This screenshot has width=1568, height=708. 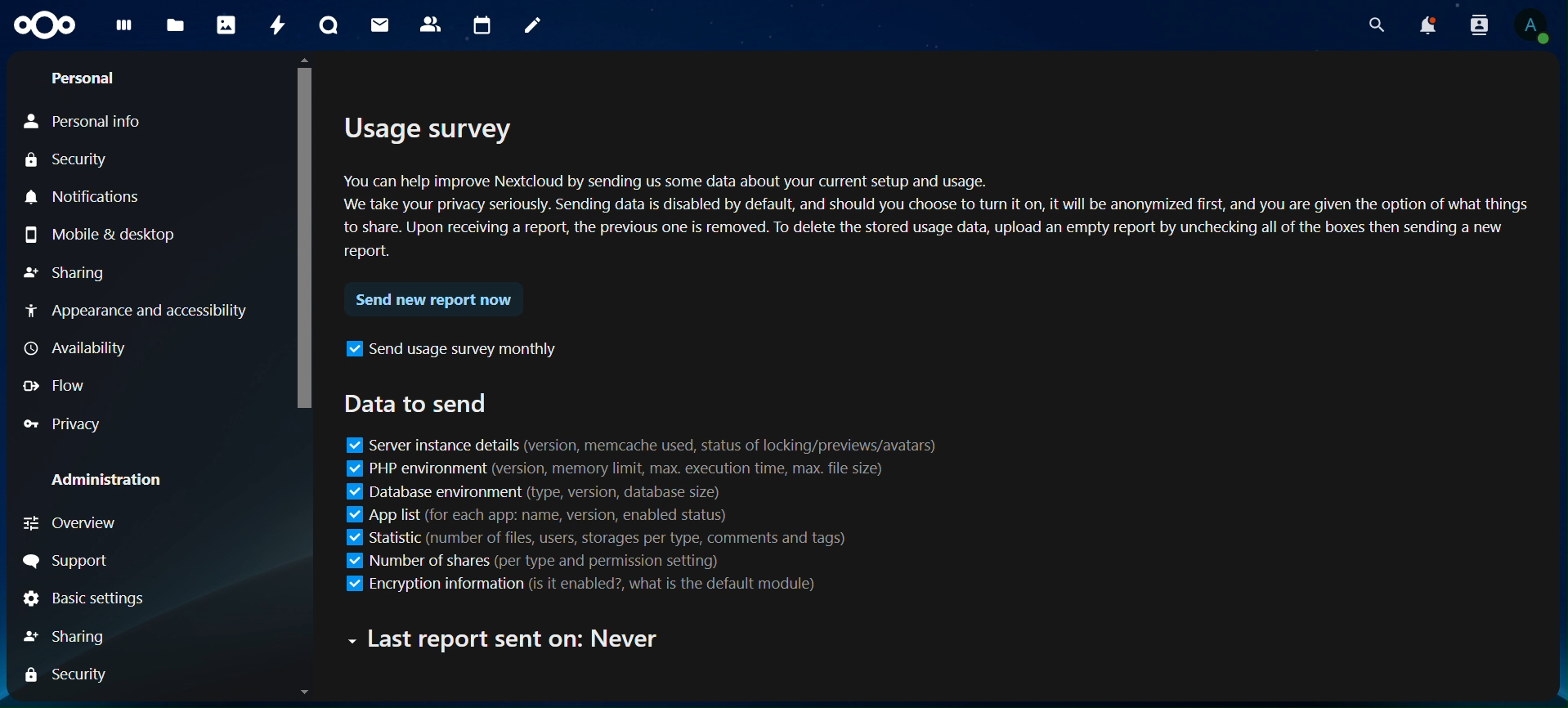 What do you see at coordinates (615, 470) in the screenshot?
I see `PHP environment` at bounding box center [615, 470].